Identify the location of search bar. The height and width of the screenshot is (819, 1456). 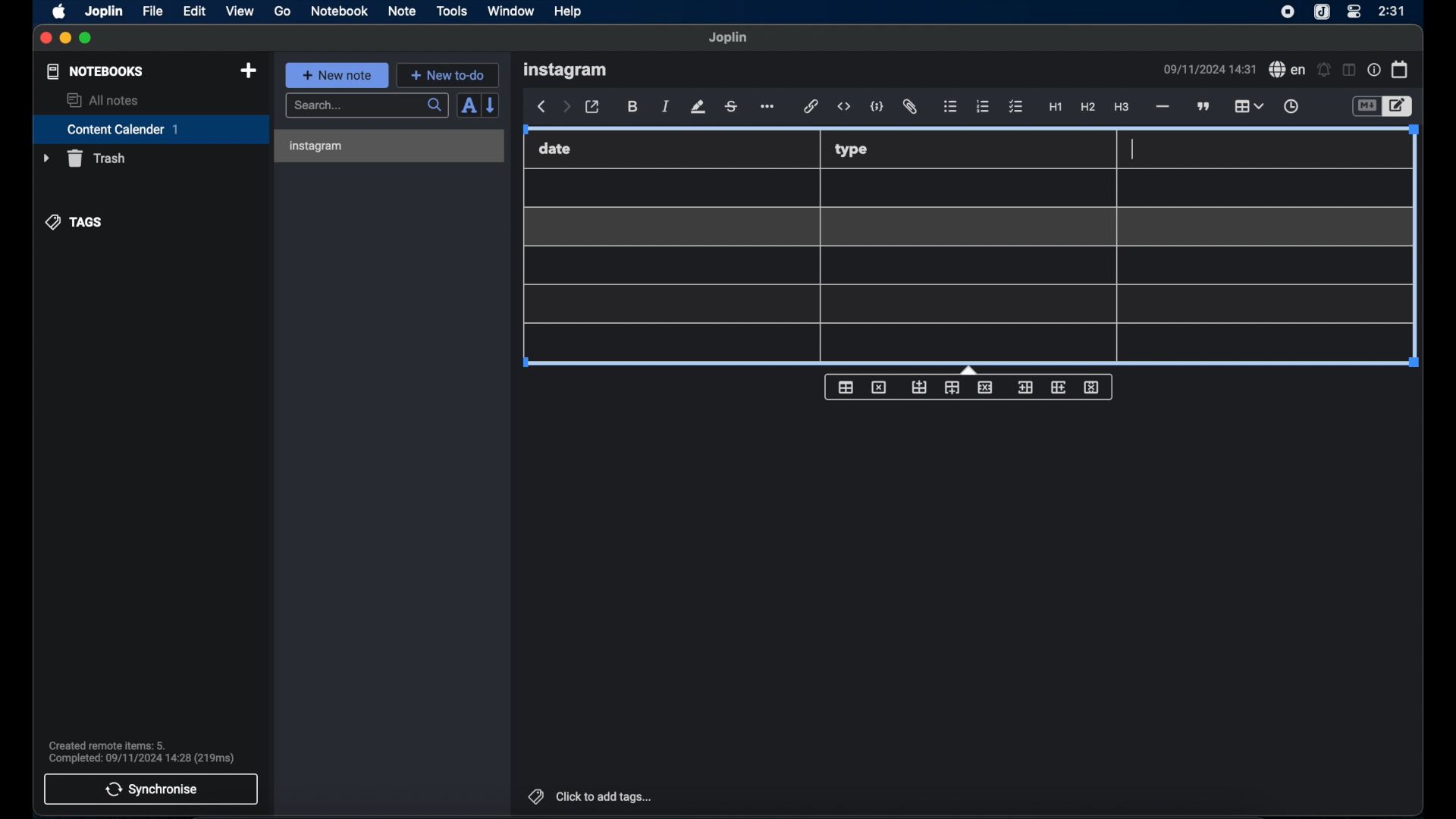
(368, 106).